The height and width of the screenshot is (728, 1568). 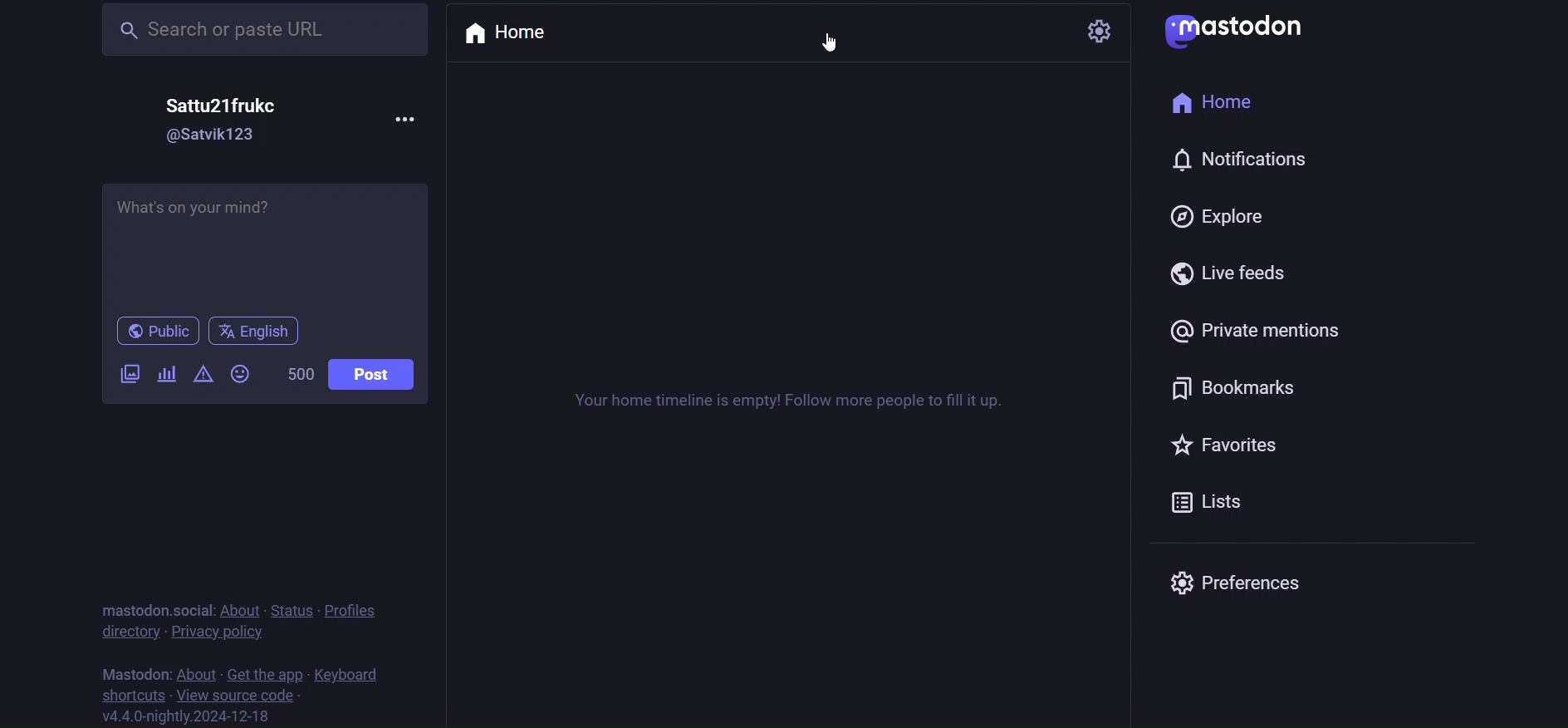 What do you see at coordinates (187, 715) in the screenshot?
I see `version` at bounding box center [187, 715].